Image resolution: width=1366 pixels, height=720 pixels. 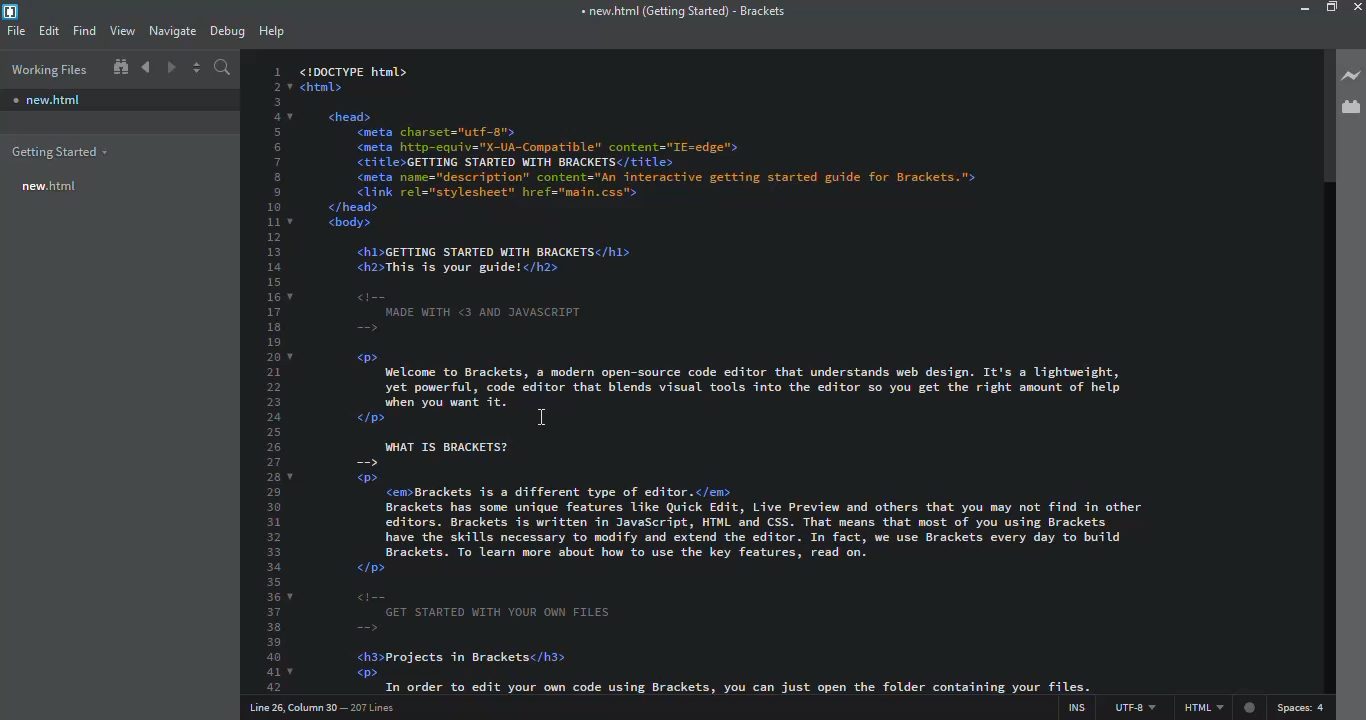 I want to click on split editor, so click(x=196, y=68).